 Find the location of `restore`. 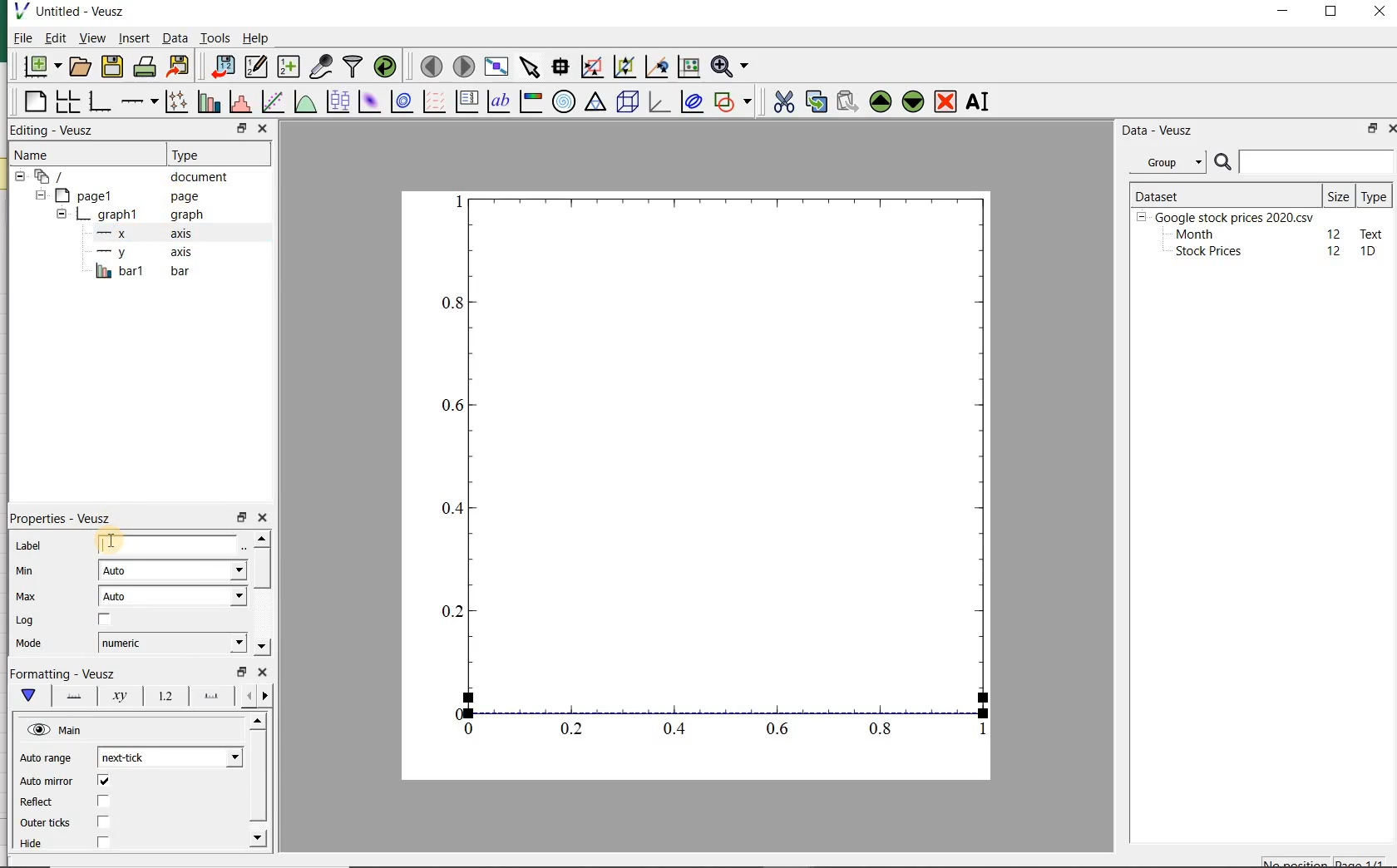

restore is located at coordinates (243, 518).